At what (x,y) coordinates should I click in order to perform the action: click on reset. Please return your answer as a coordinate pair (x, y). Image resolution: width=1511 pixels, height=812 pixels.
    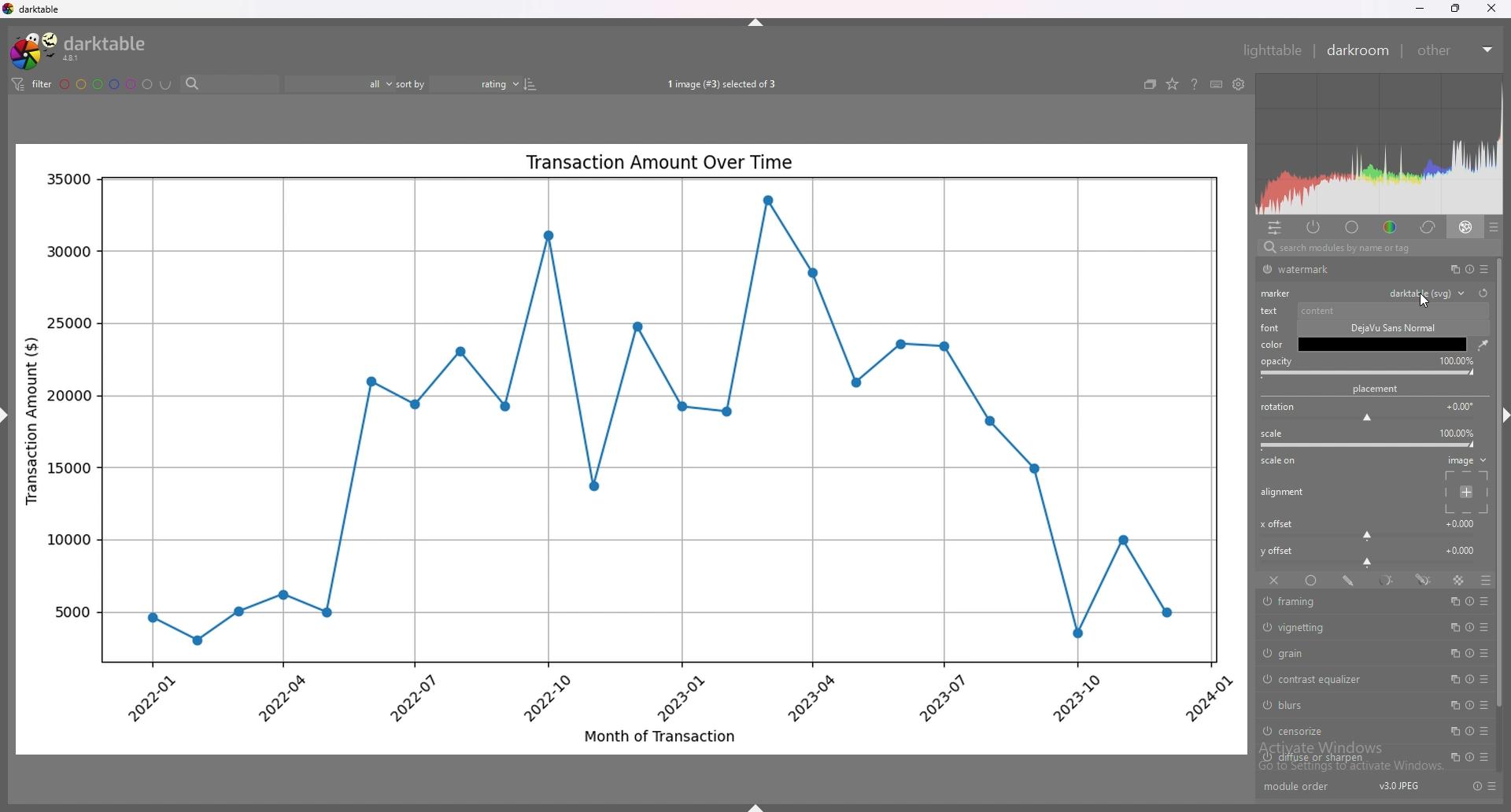
    Looking at the image, I should click on (1467, 680).